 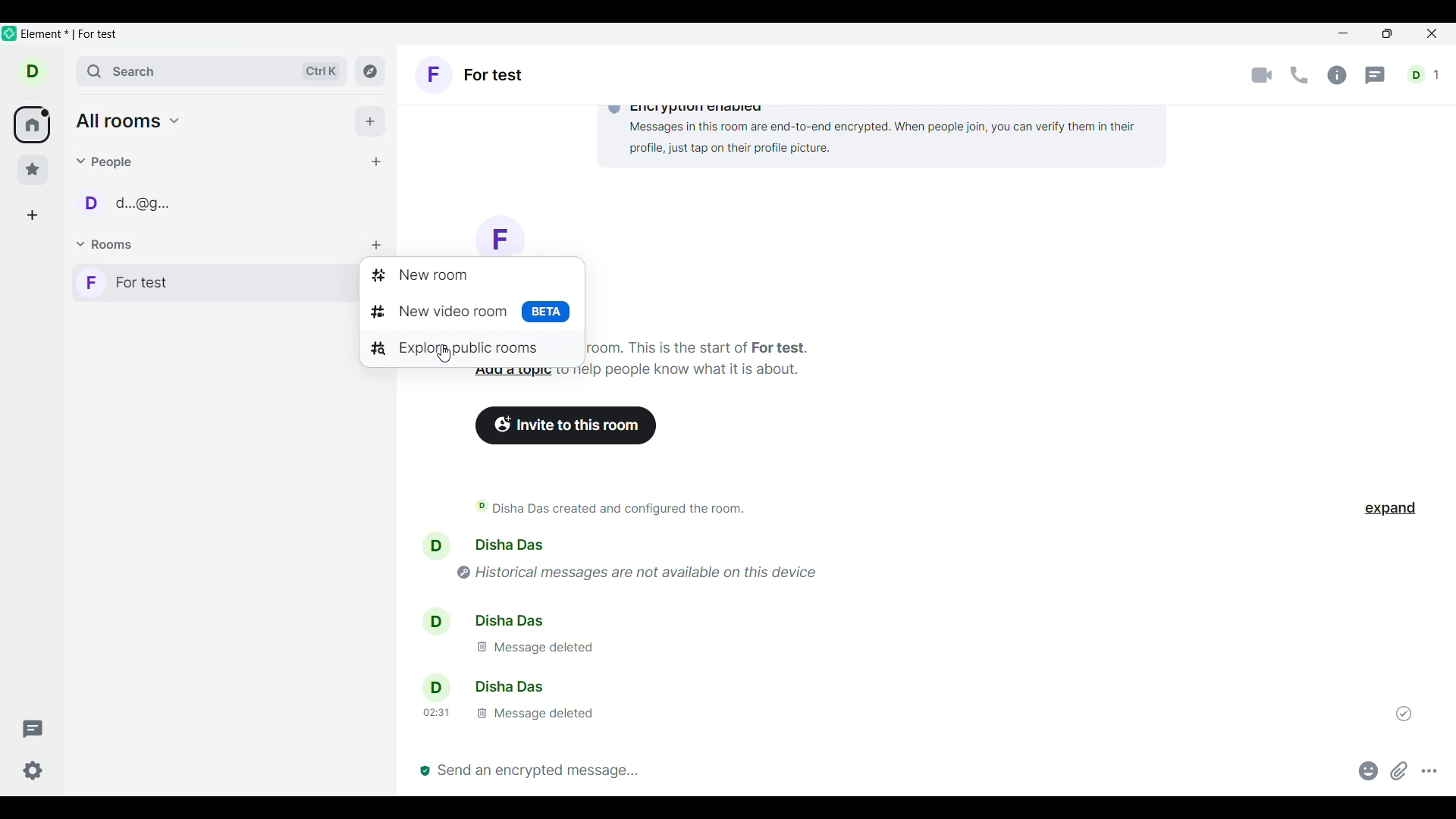 I want to click on Favorites, so click(x=33, y=170).